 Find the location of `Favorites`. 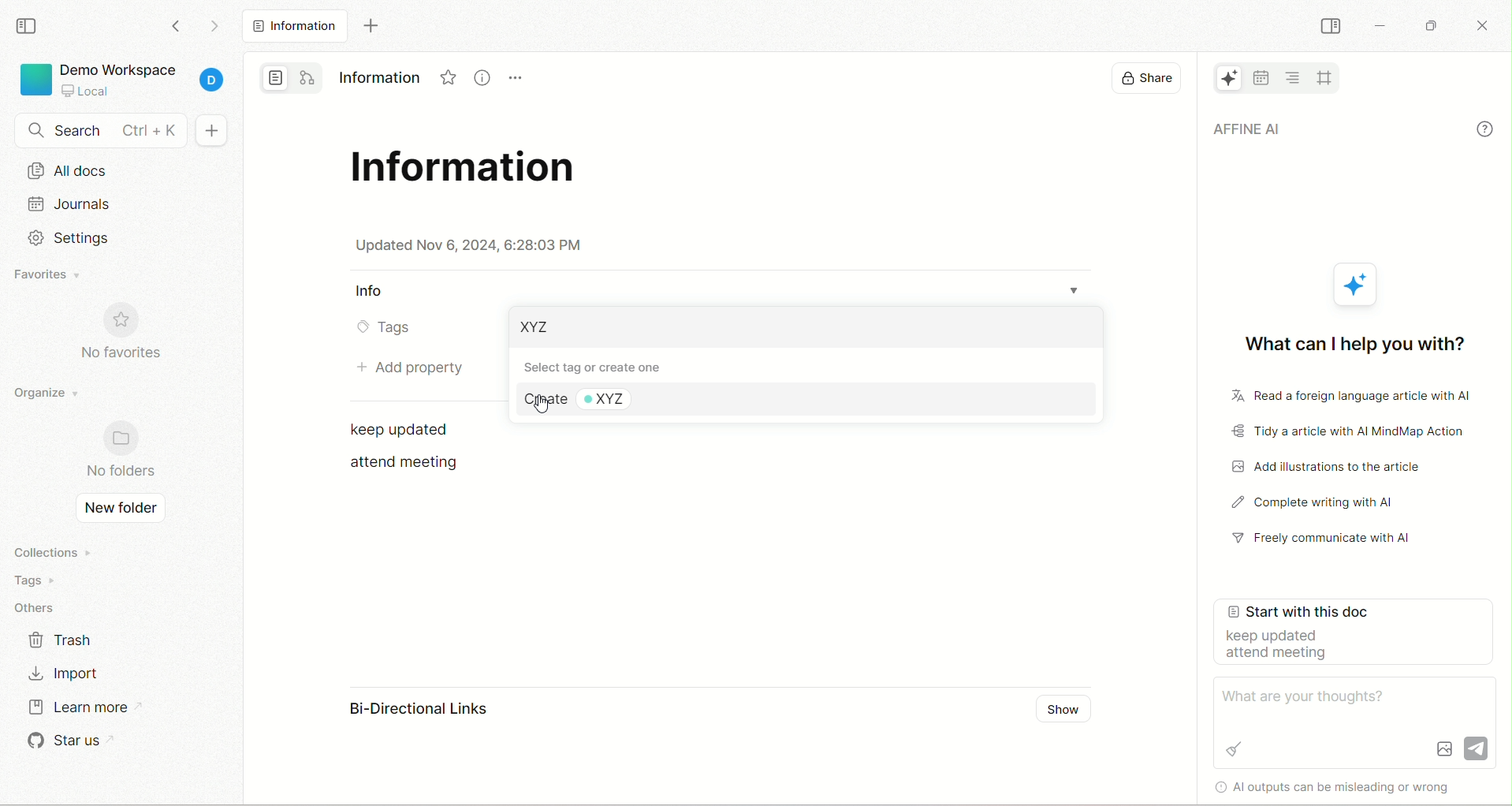

Favorites is located at coordinates (449, 80).